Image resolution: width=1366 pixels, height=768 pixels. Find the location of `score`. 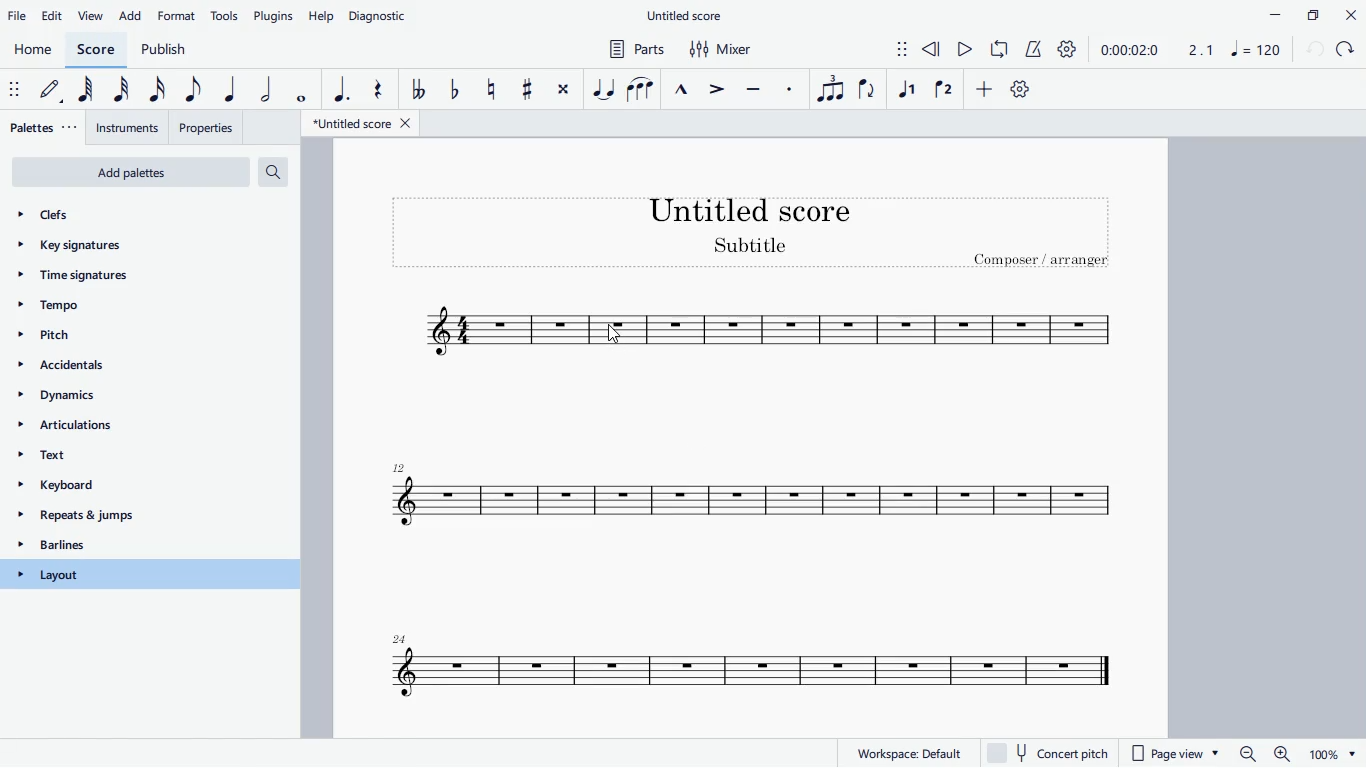

score is located at coordinates (758, 337).